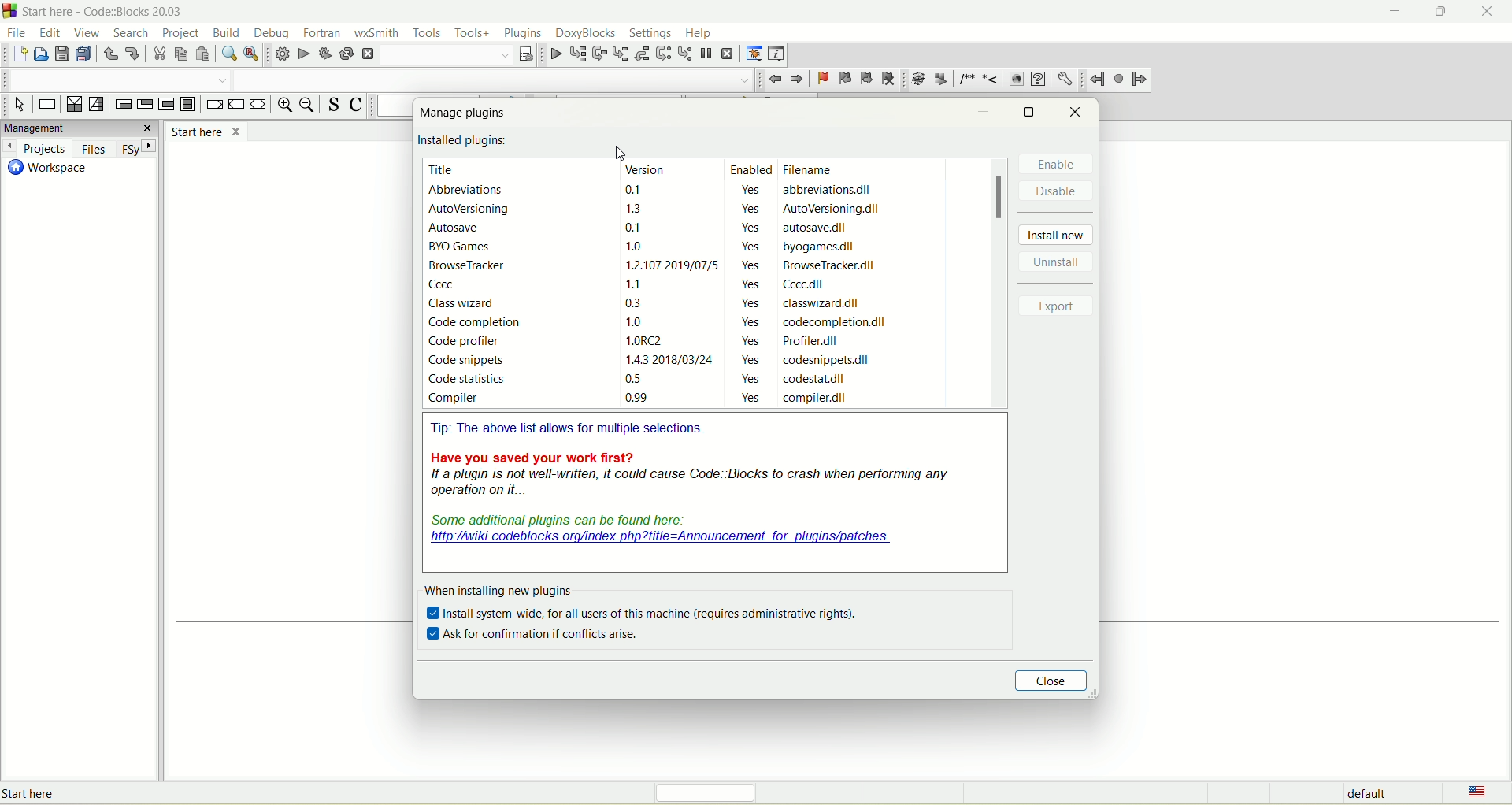  What do you see at coordinates (91, 148) in the screenshot?
I see `files` at bounding box center [91, 148].